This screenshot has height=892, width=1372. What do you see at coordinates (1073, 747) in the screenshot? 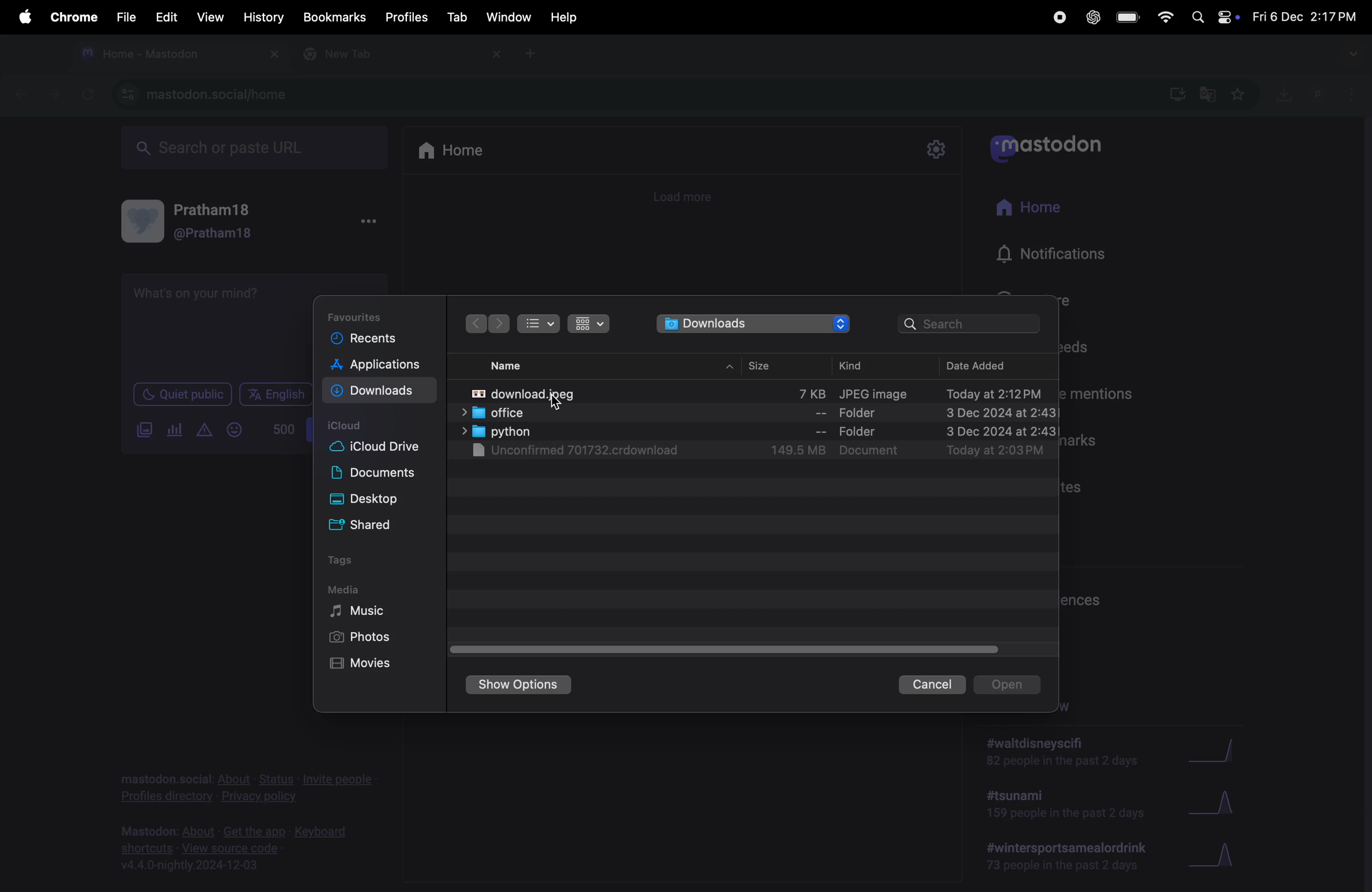
I see `walt disney scifi` at bounding box center [1073, 747].